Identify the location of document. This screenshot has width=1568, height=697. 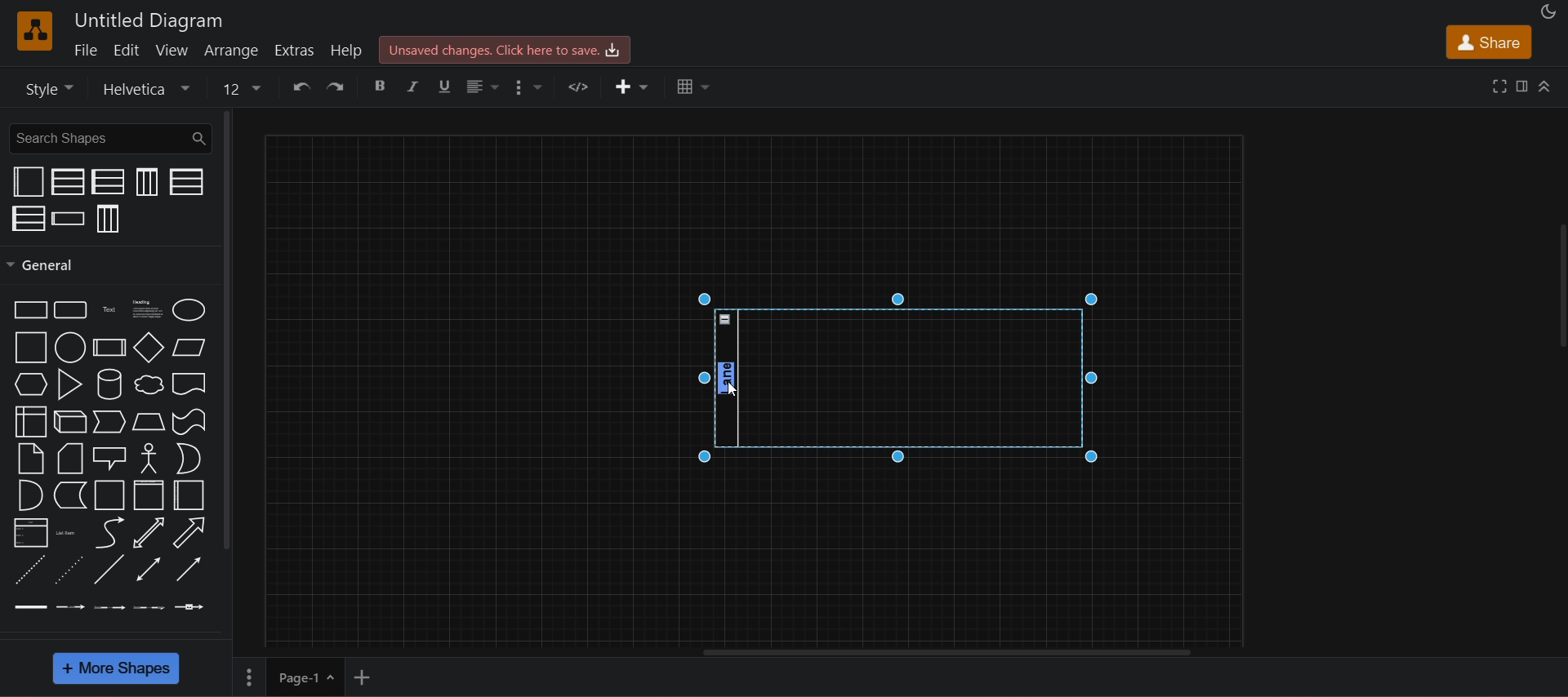
(187, 384).